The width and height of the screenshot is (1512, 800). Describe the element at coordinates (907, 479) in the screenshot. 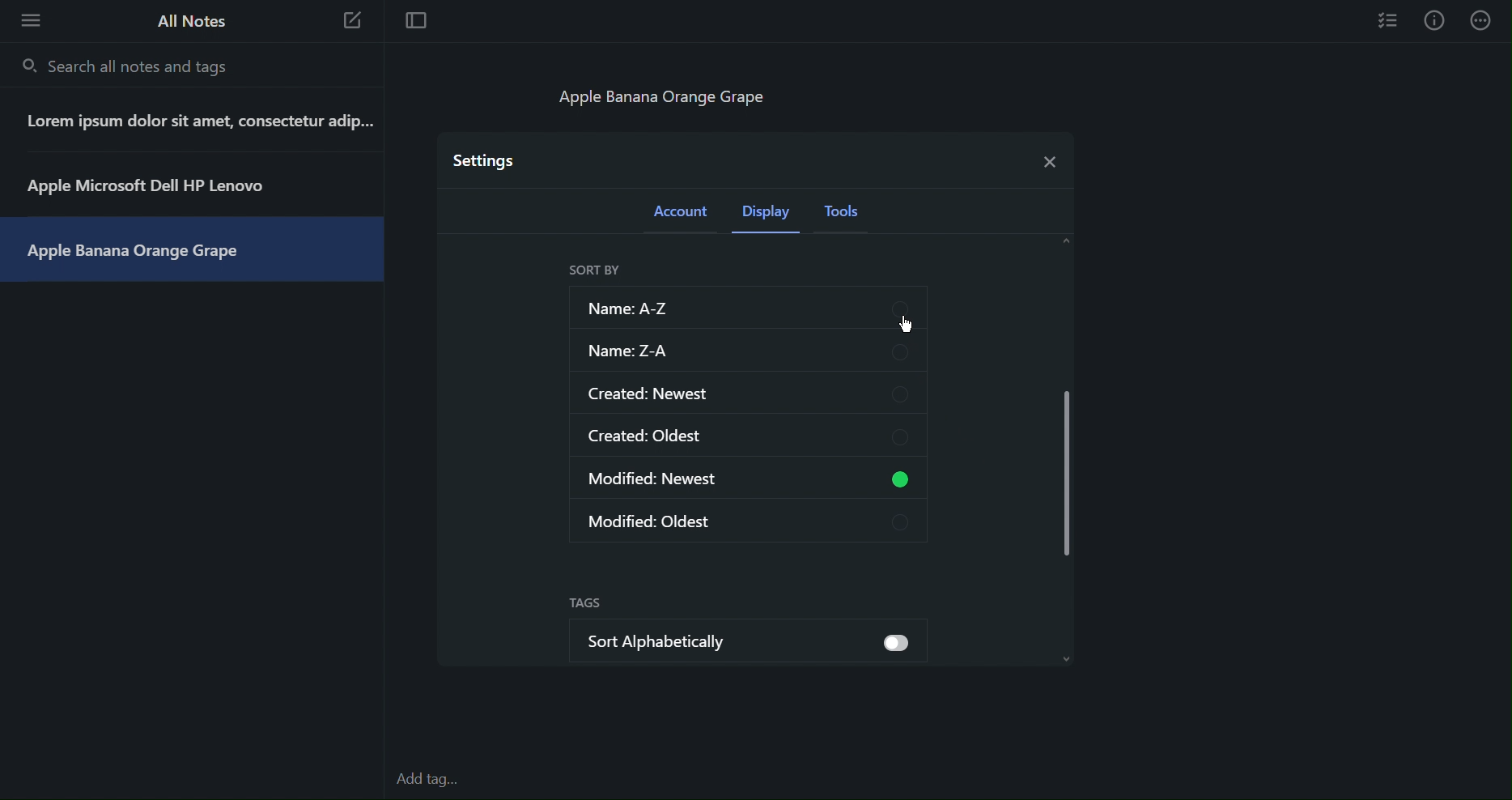

I see `button` at that location.